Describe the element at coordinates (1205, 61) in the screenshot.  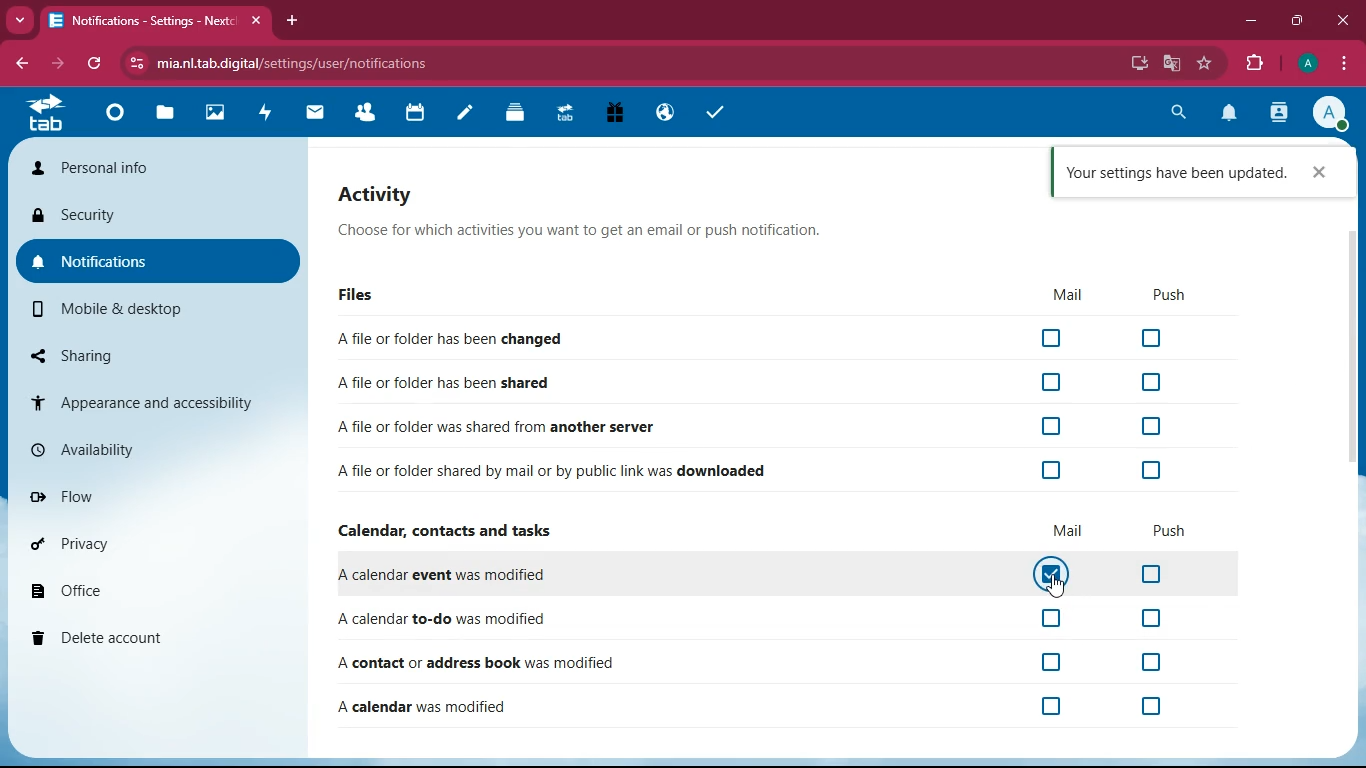
I see `bookmark this tab` at that location.